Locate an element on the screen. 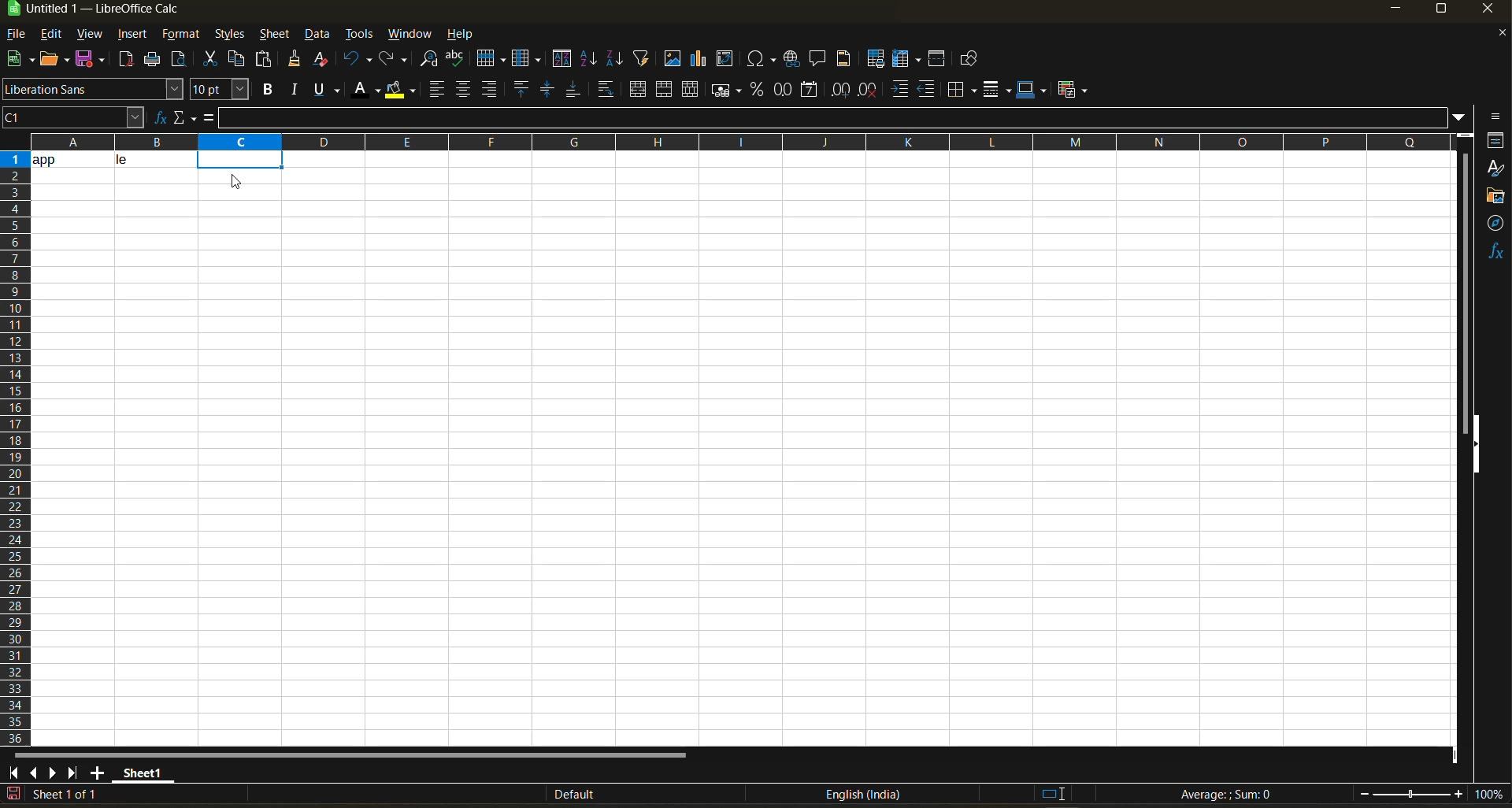 The image size is (1512, 808). decrease indent is located at coordinates (930, 90).